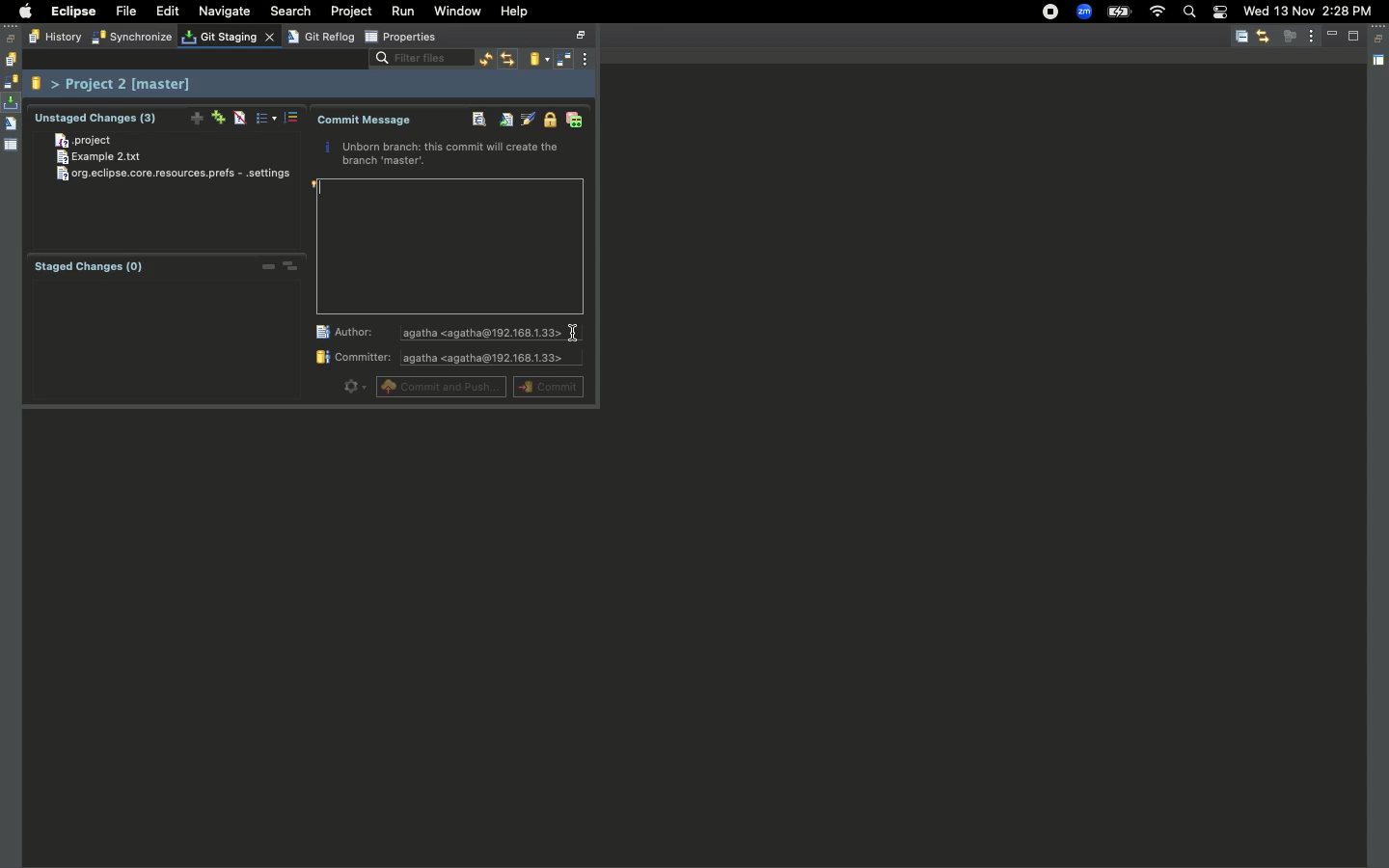  Describe the element at coordinates (319, 36) in the screenshot. I see `Git reflog` at that location.